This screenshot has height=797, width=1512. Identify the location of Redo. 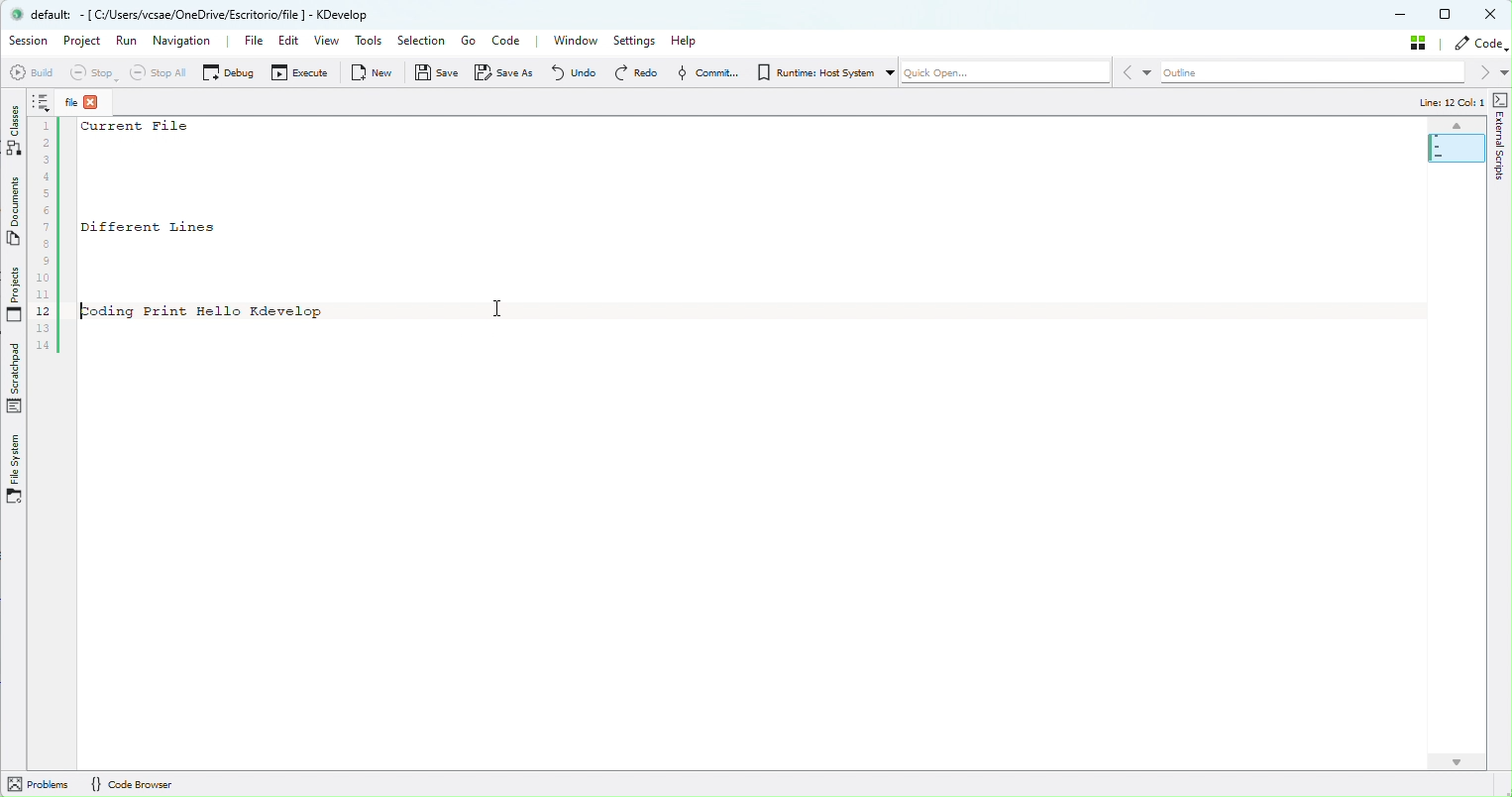
(639, 75).